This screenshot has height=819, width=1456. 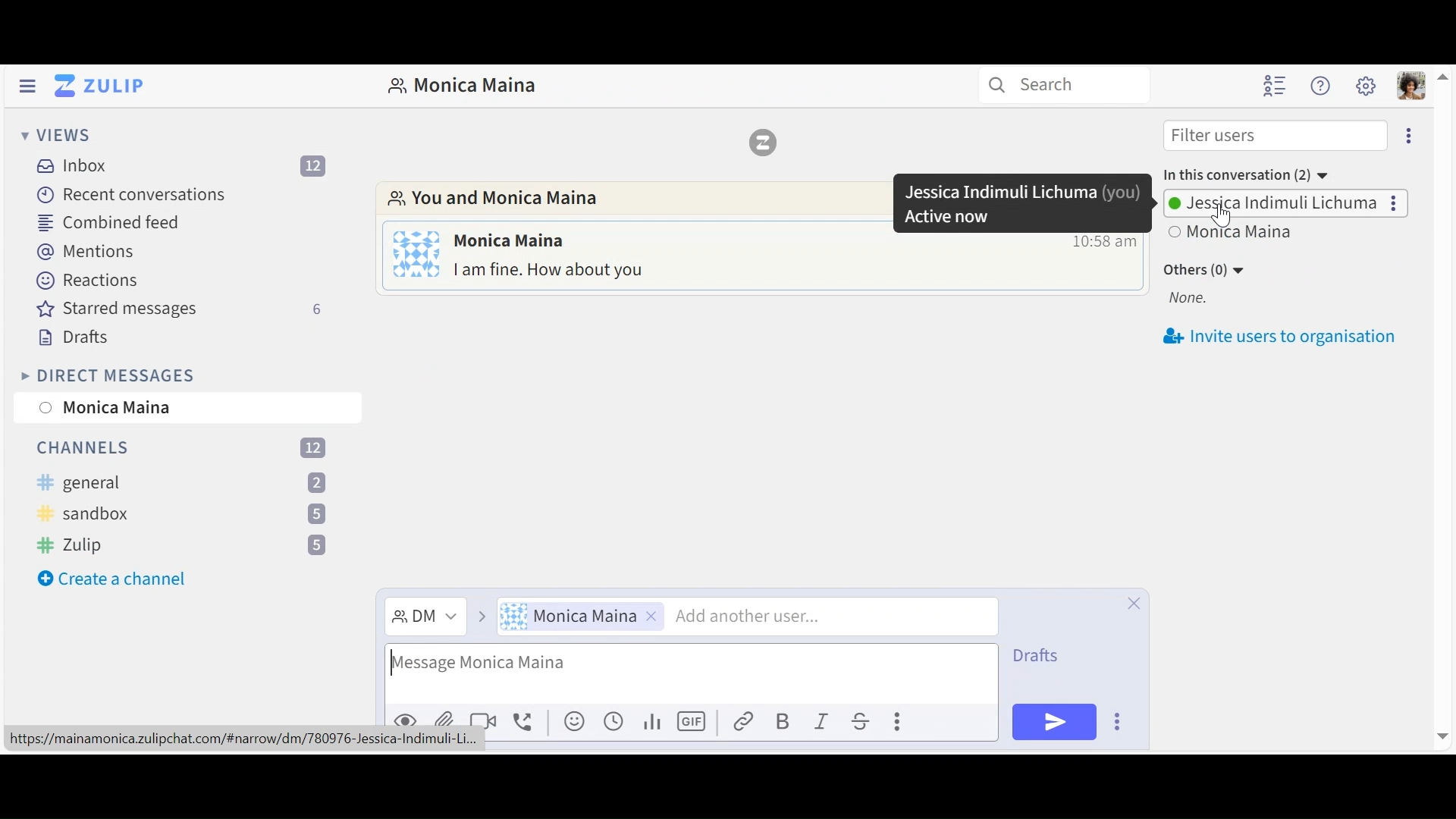 What do you see at coordinates (654, 723) in the screenshot?
I see `Add poll` at bounding box center [654, 723].